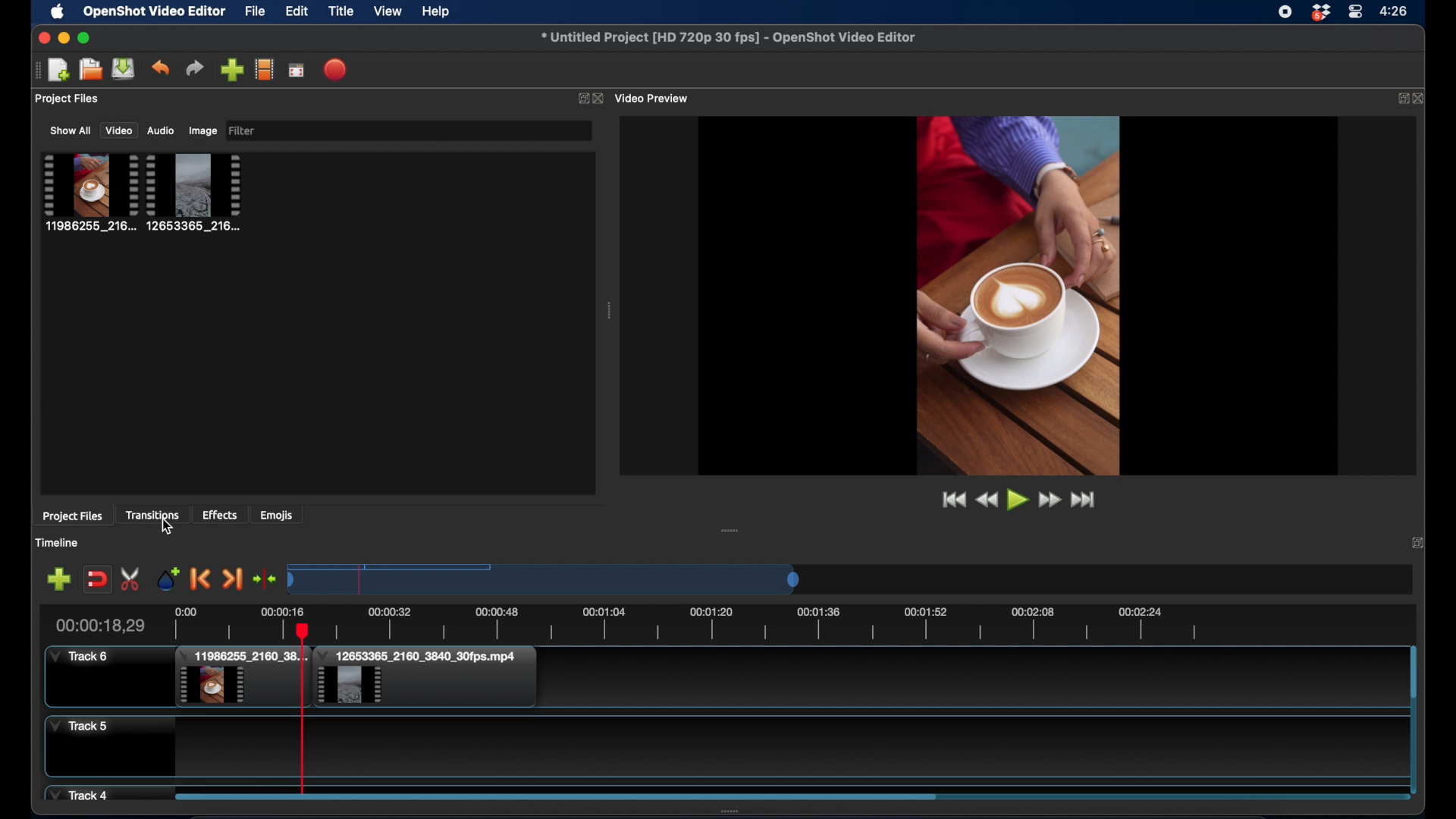 The width and height of the screenshot is (1456, 819). What do you see at coordinates (80, 657) in the screenshot?
I see `track 6` at bounding box center [80, 657].